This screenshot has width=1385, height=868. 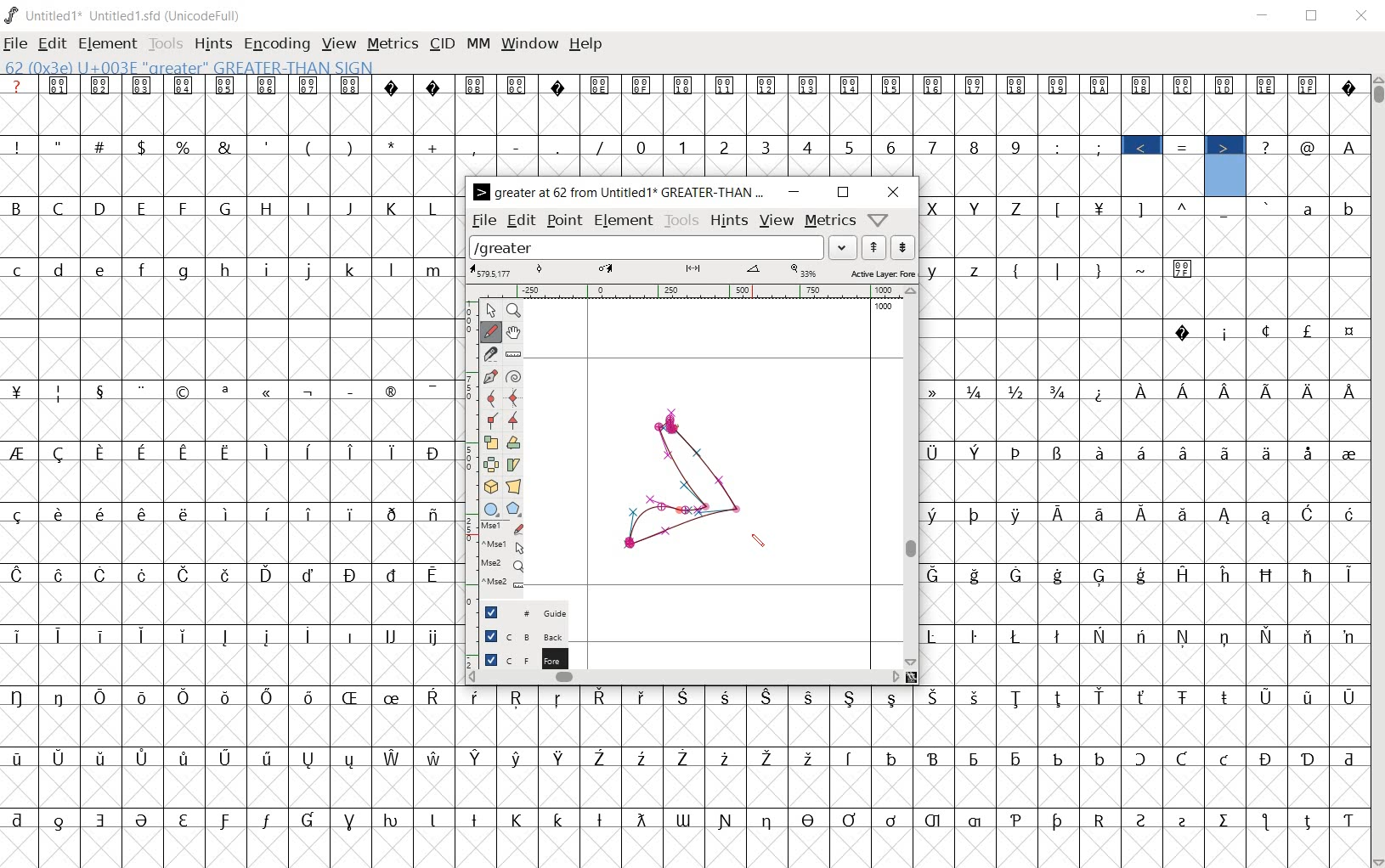 I want to click on foreground, so click(x=517, y=658).